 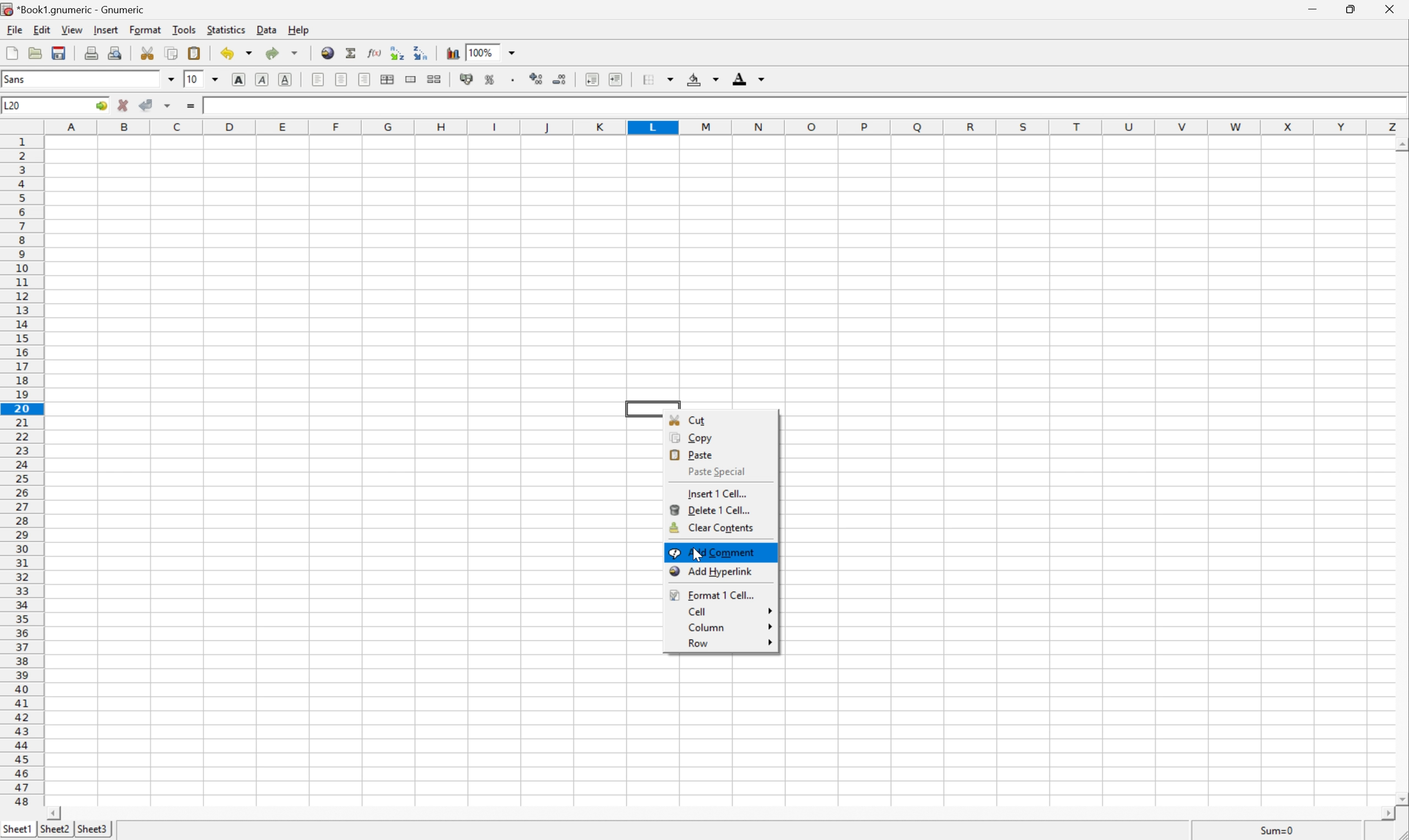 I want to click on Close, so click(x=1389, y=9).